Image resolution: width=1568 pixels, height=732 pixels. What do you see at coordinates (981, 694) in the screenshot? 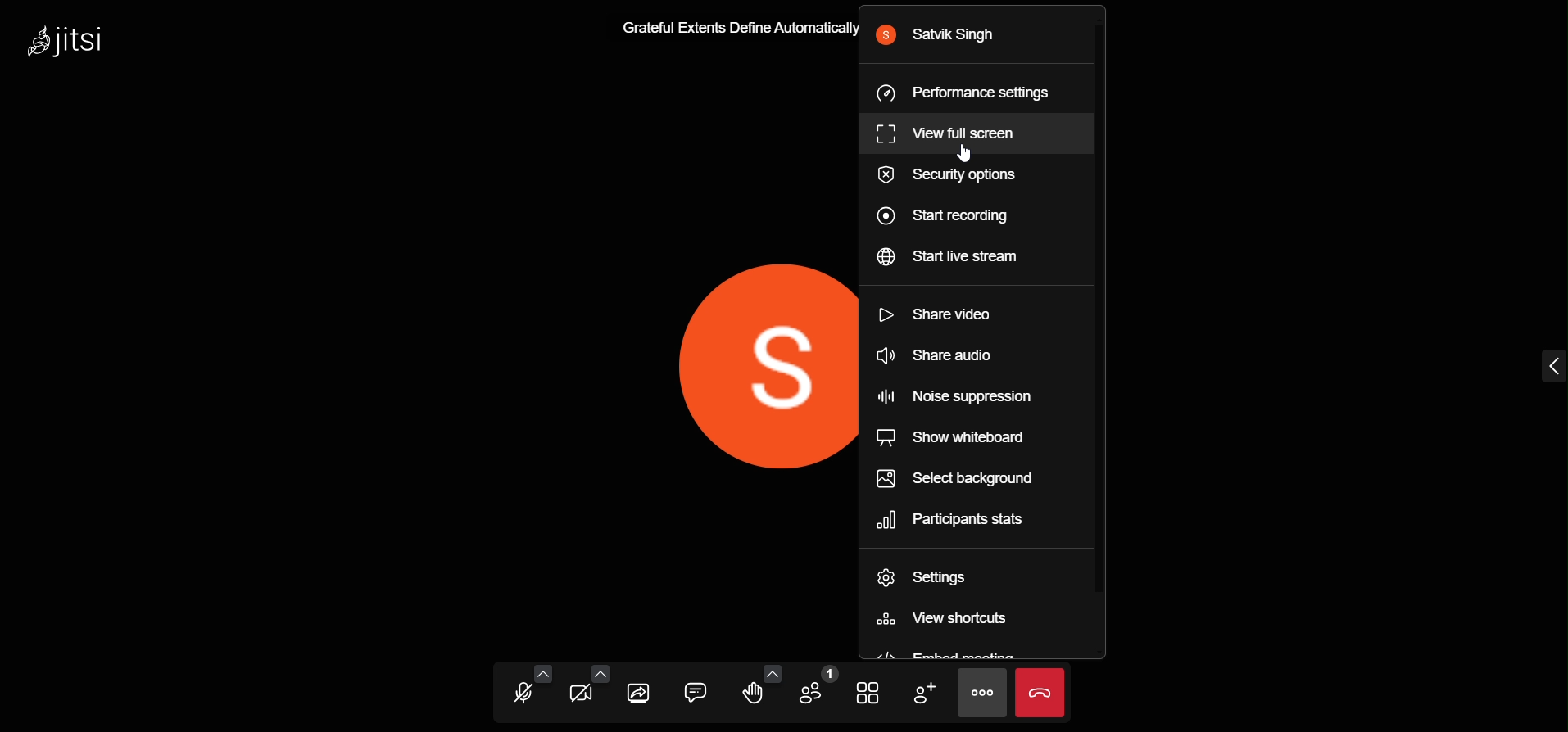
I see `more` at bounding box center [981, 694].